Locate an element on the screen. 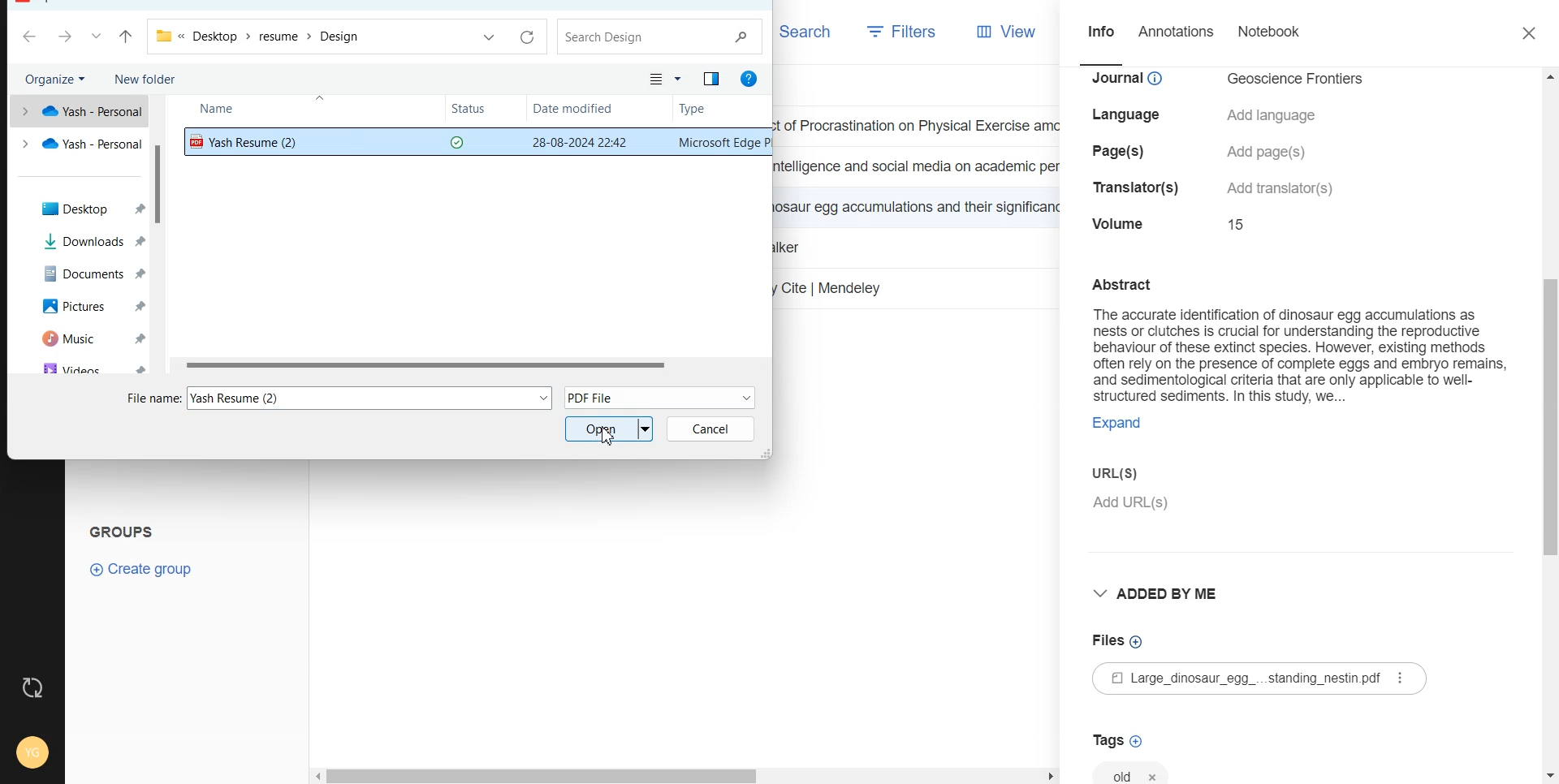  Name is located at coordinates (240, 110).